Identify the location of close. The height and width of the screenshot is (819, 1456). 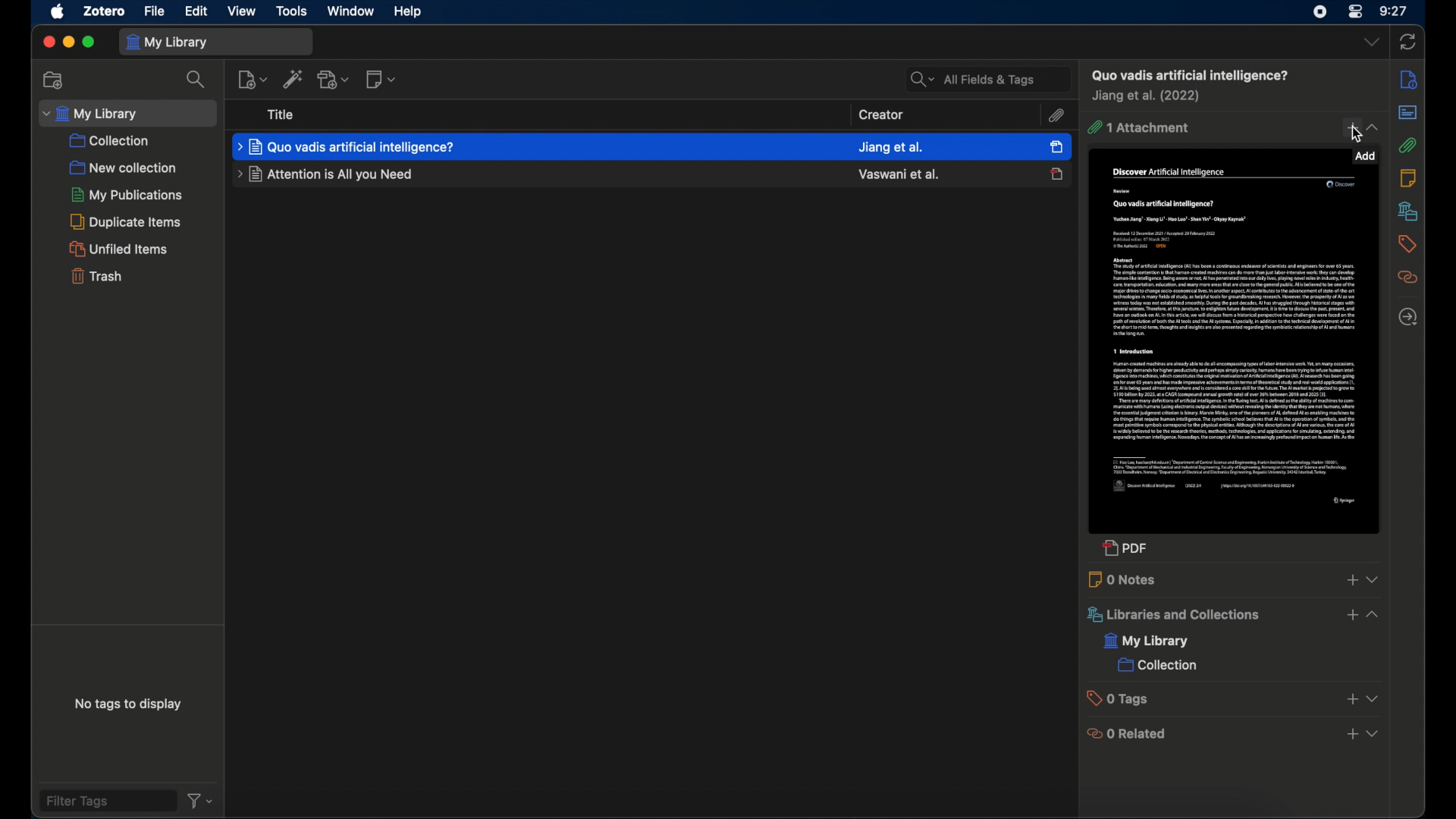
(46, 42).